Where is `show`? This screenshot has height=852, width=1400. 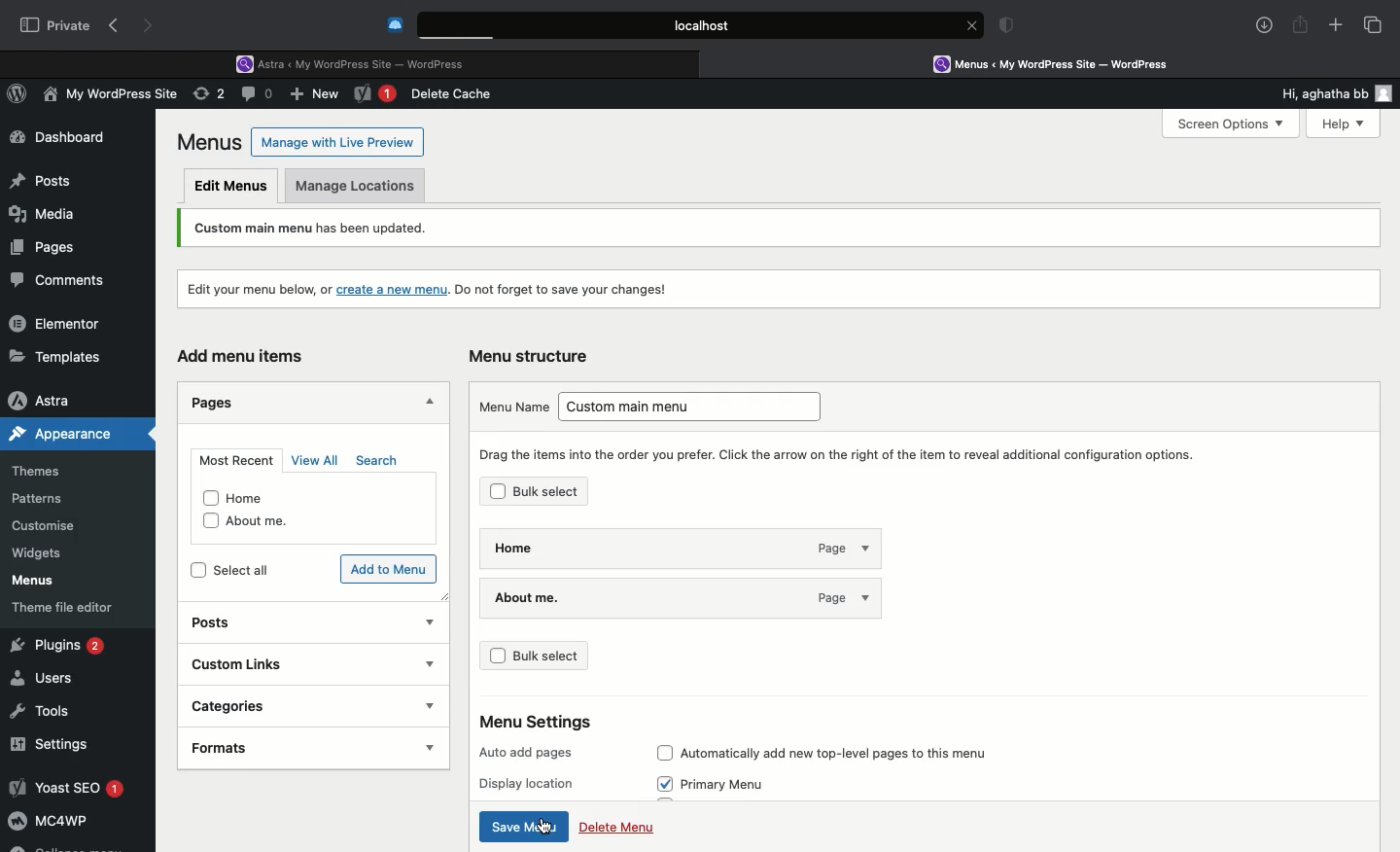 show is located at coordinates (416, 749).